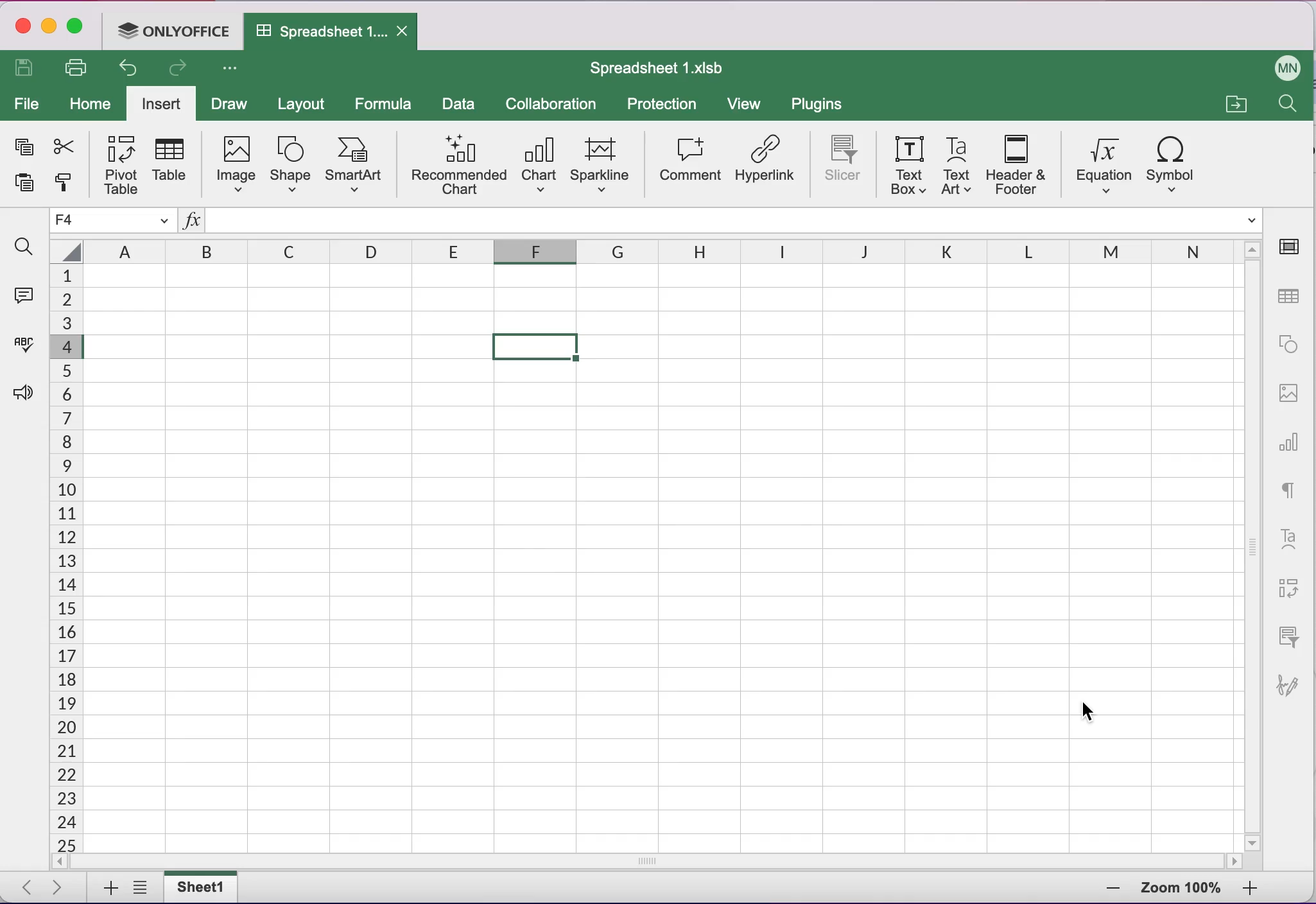  I want to click on onlyoffice, so click(171, 33).